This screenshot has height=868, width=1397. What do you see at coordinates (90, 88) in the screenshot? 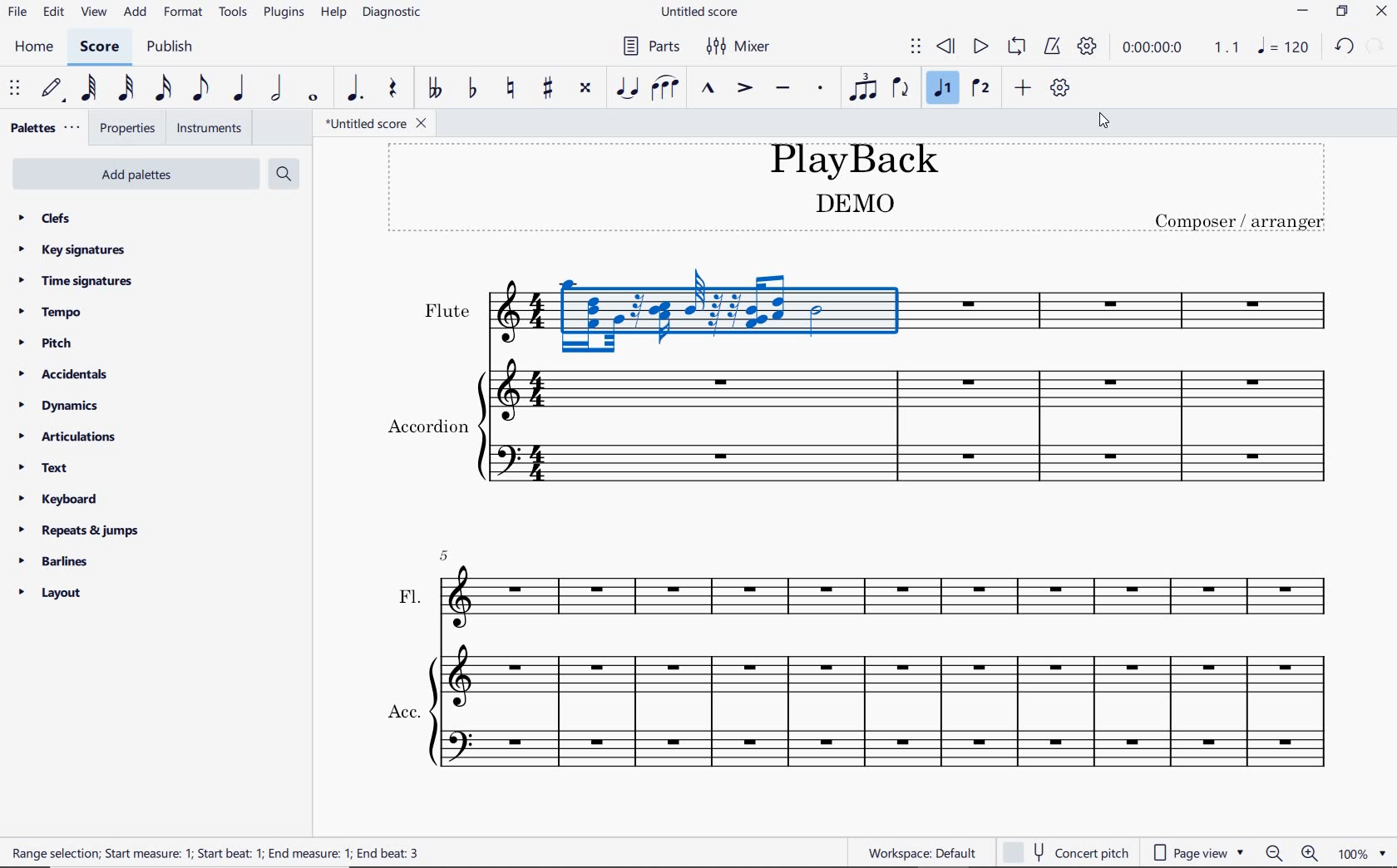
I see `64th note` at bounding box center [90, 88].